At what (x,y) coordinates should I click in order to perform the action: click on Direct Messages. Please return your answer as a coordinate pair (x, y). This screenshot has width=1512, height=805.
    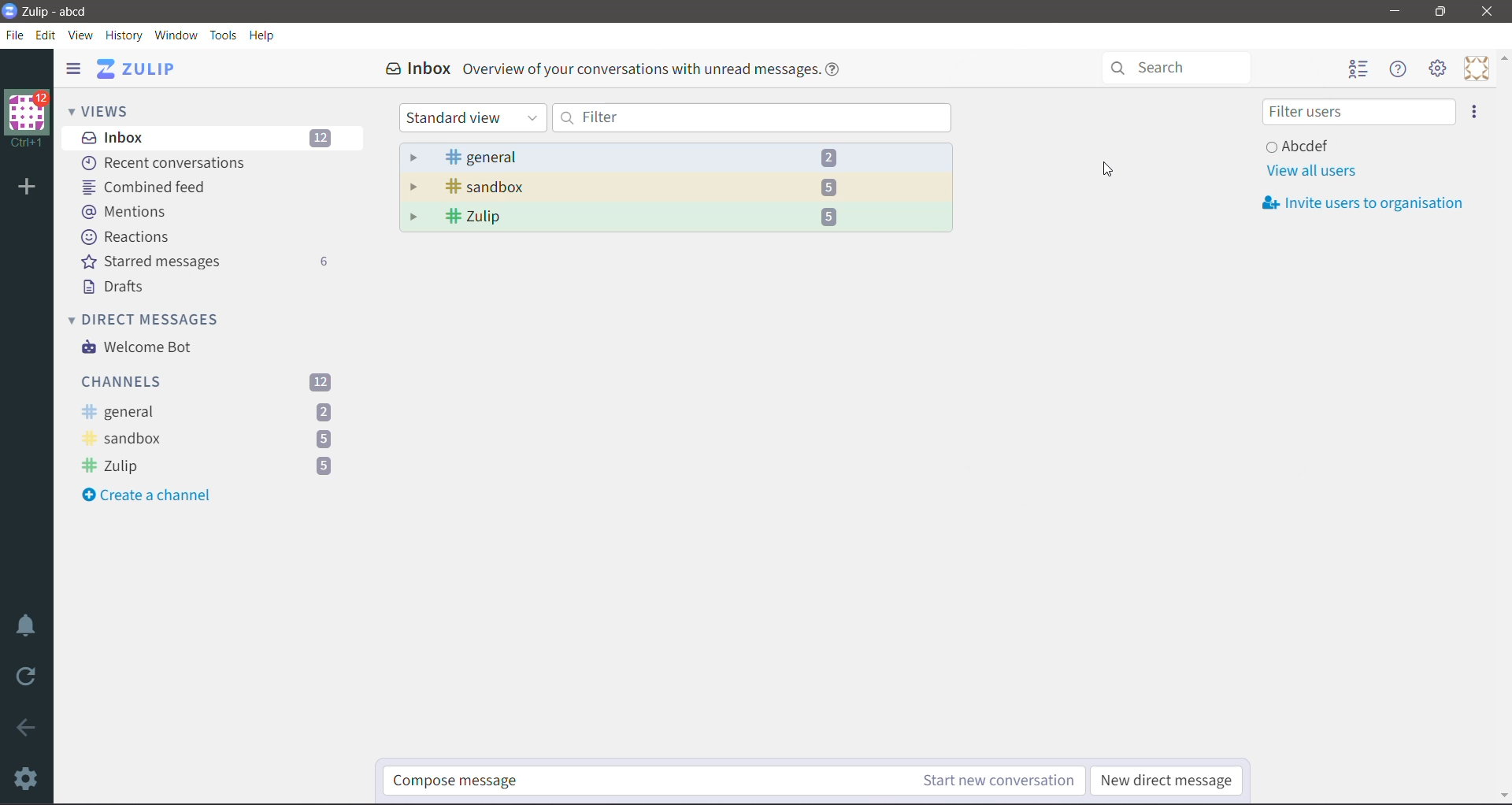
    Looking at the image, I should click on (150, 318).